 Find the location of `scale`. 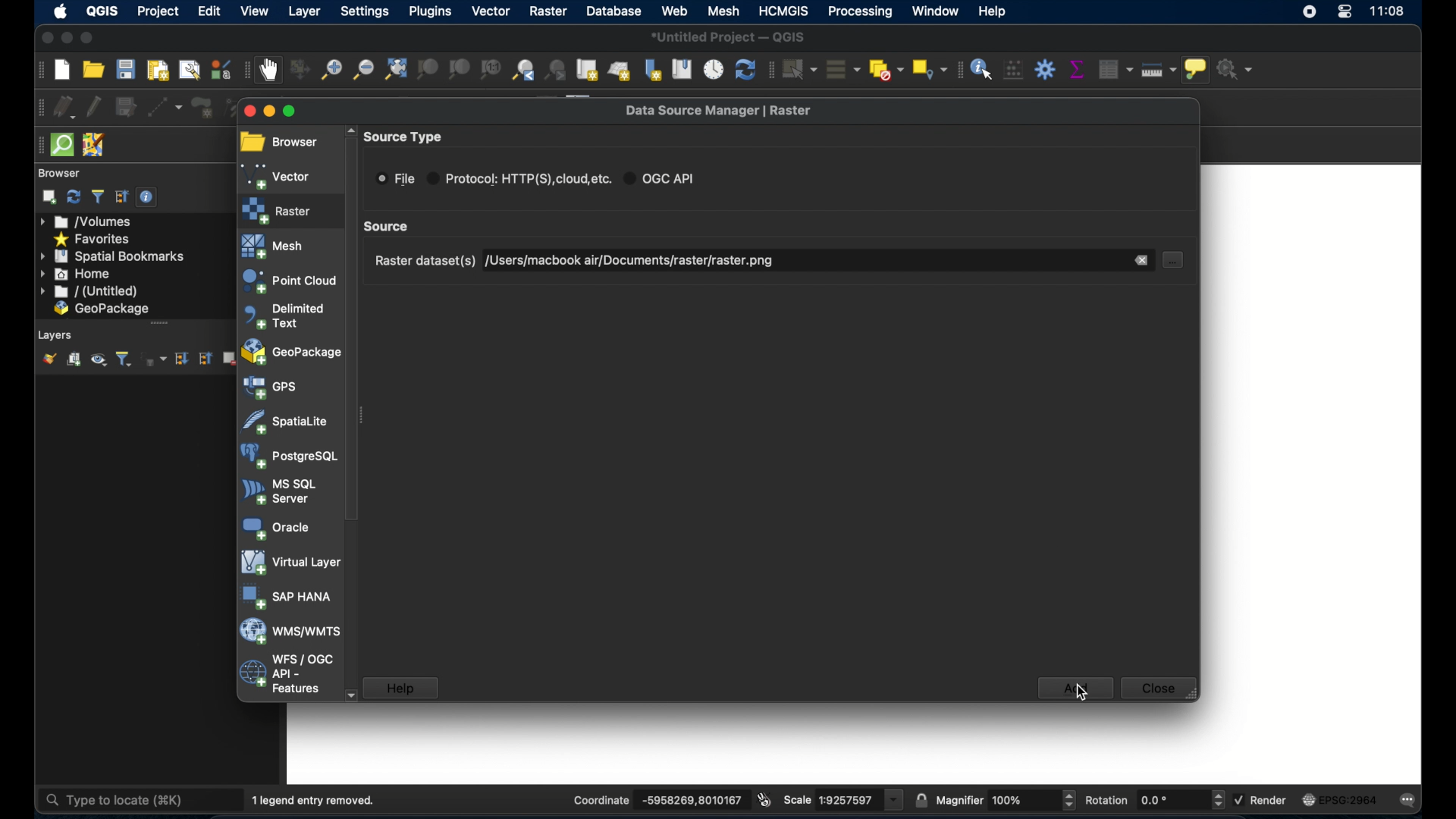

scale is located at coordinates (798, 800).